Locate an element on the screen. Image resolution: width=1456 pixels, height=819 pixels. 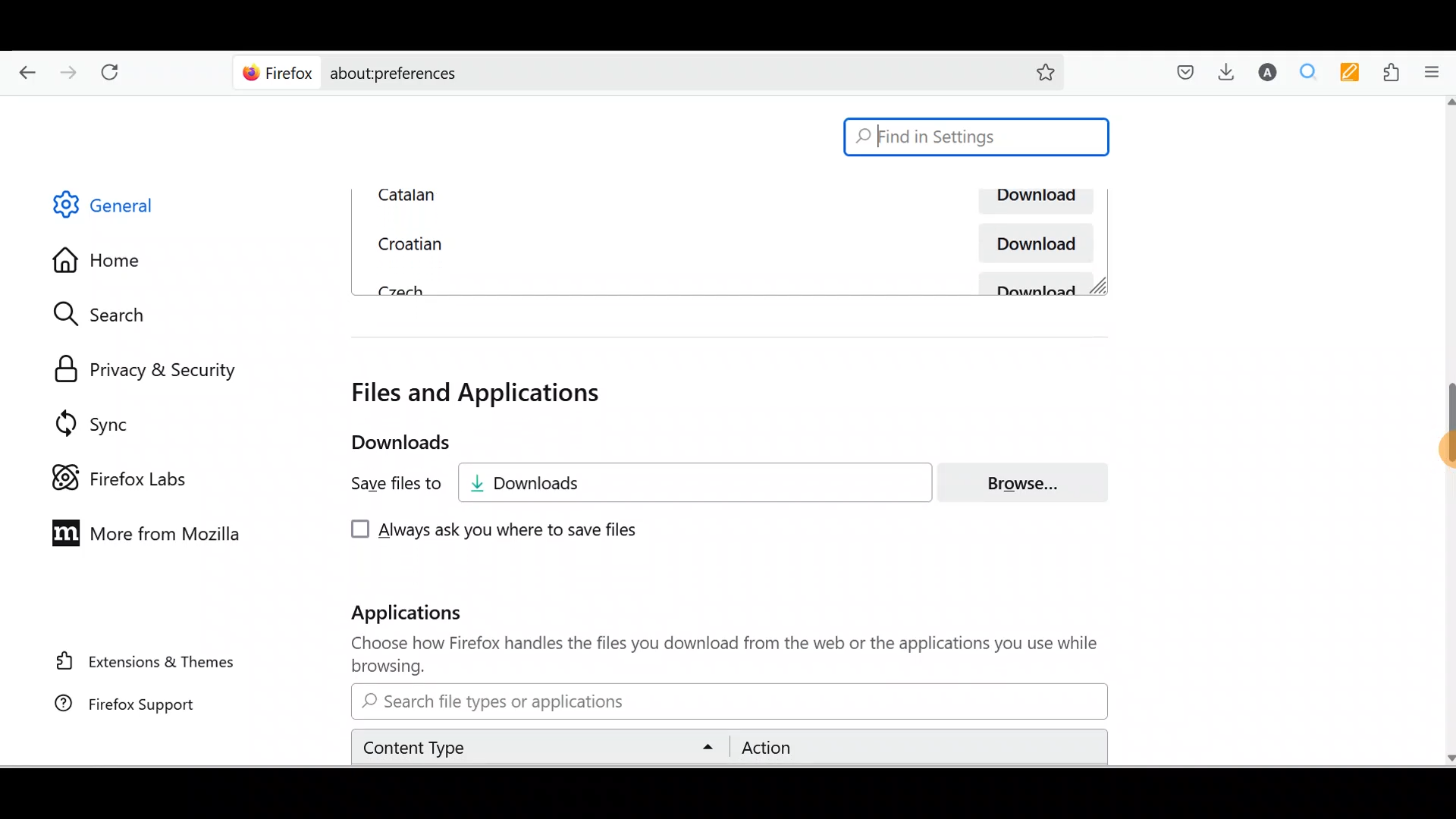
Applications is located at coordinates (422, 616).